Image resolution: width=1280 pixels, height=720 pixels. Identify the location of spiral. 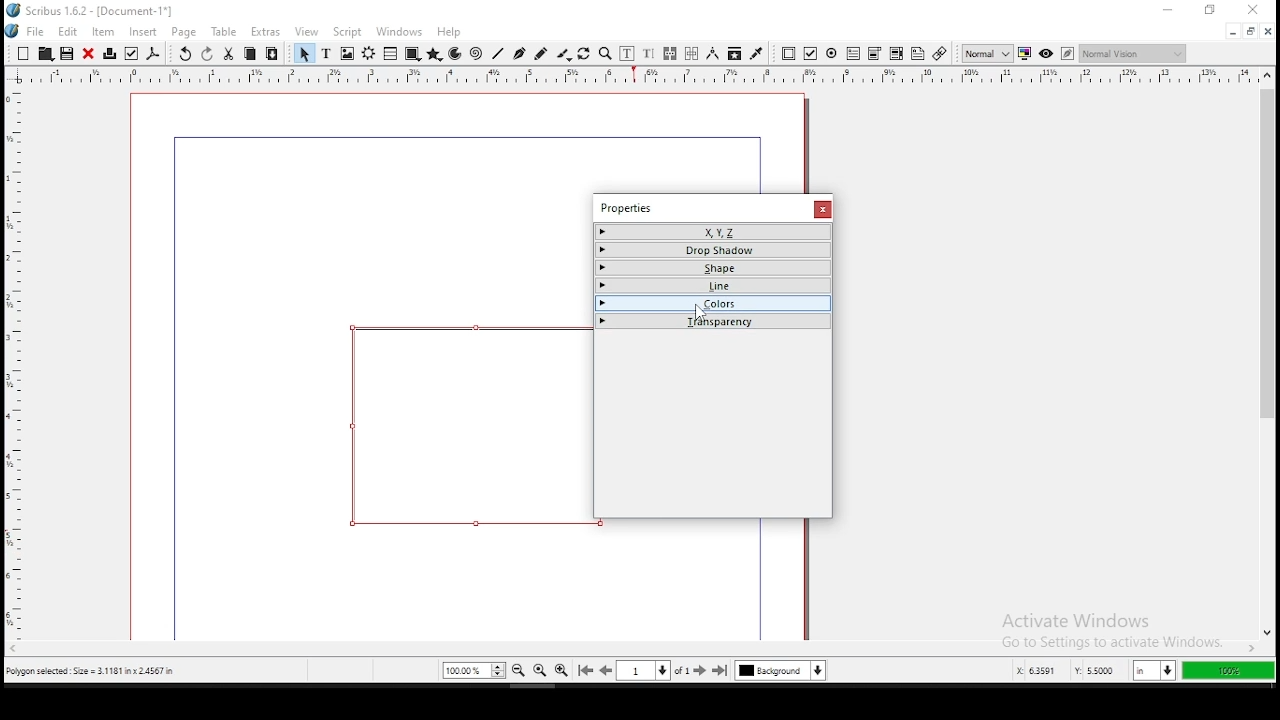
(476, 54).